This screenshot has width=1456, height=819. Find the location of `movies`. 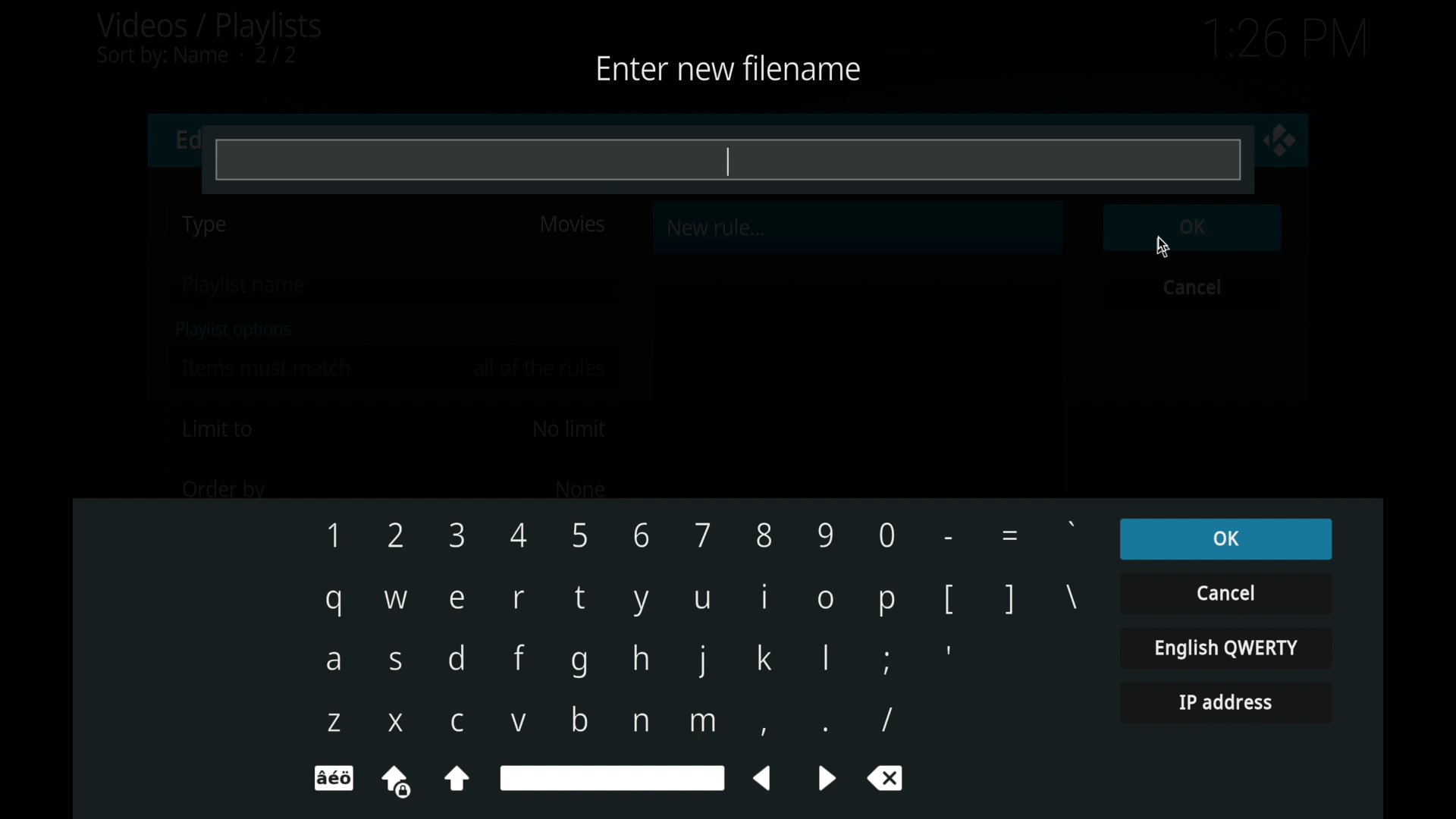

movies is located at coordinates (572, 224).